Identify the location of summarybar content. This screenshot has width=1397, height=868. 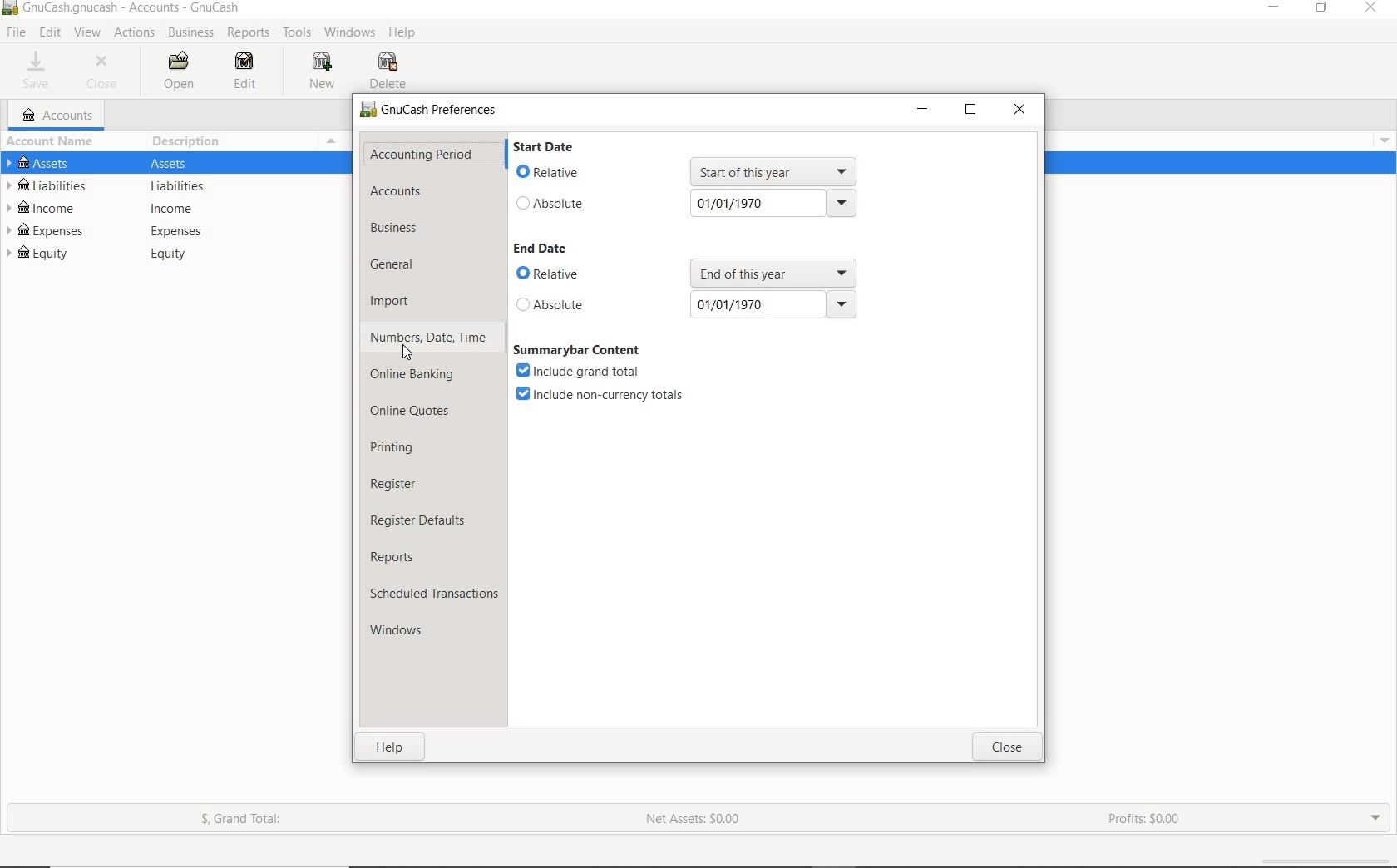
(576, 350).